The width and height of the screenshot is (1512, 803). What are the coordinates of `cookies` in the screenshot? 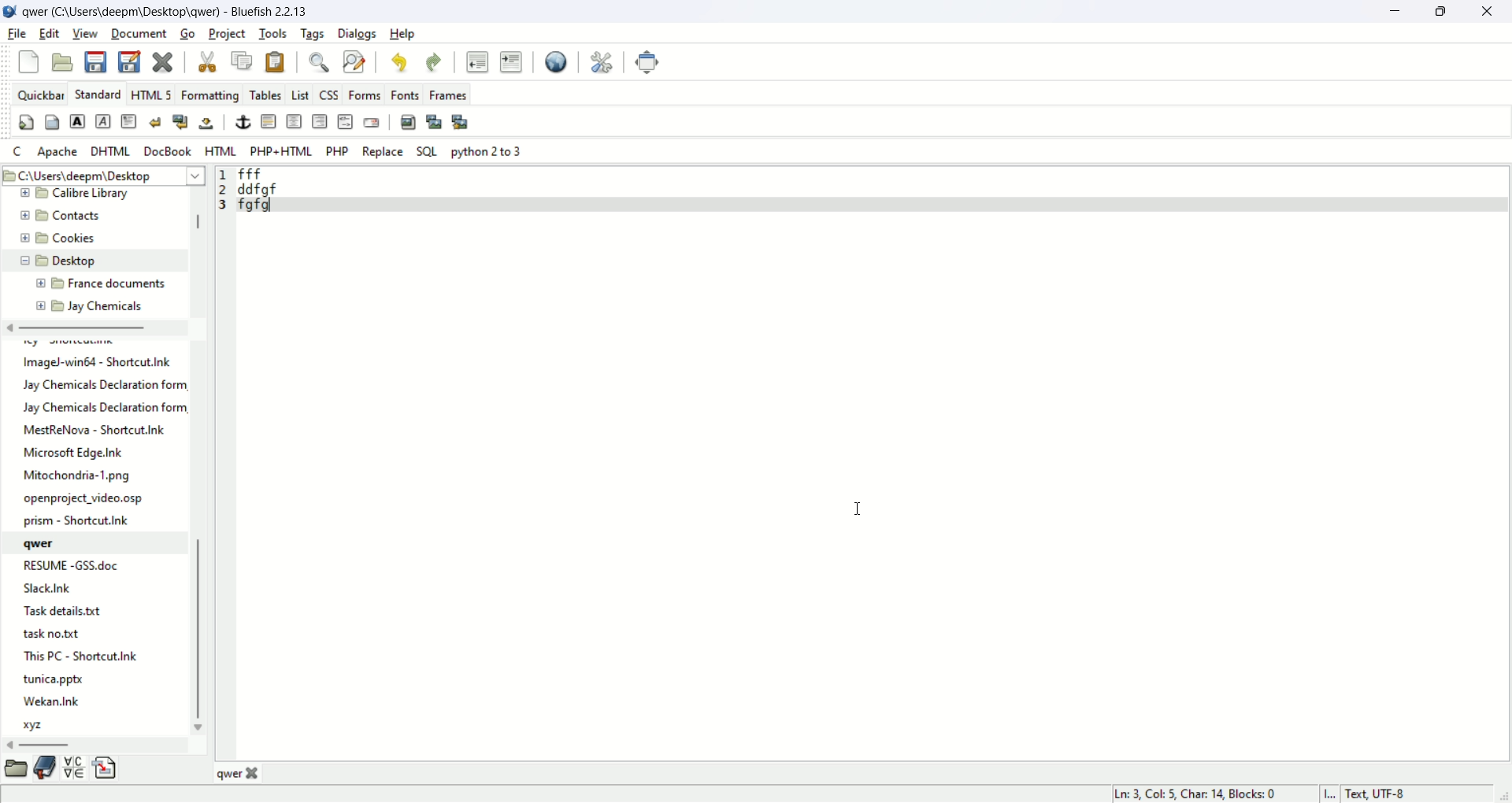 It's located at (57, 235).